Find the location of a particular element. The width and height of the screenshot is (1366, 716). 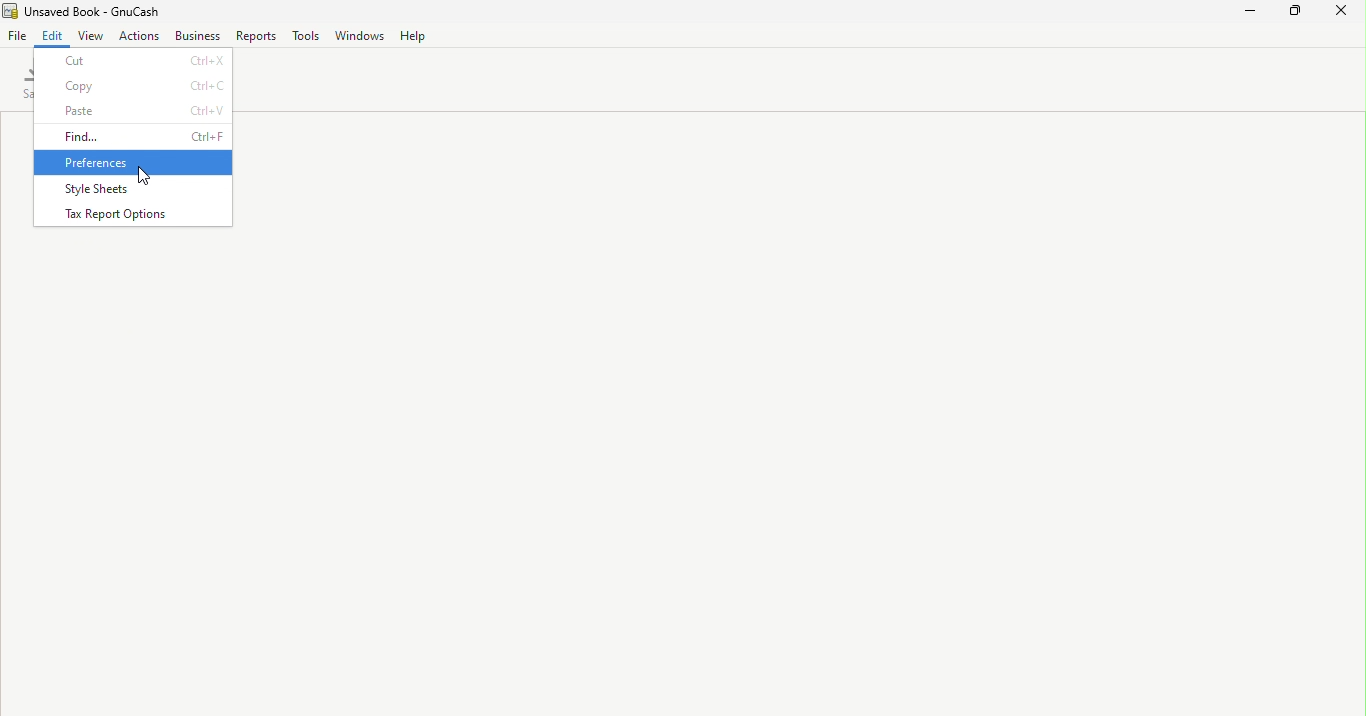

File is located at coordinates (16, 36).